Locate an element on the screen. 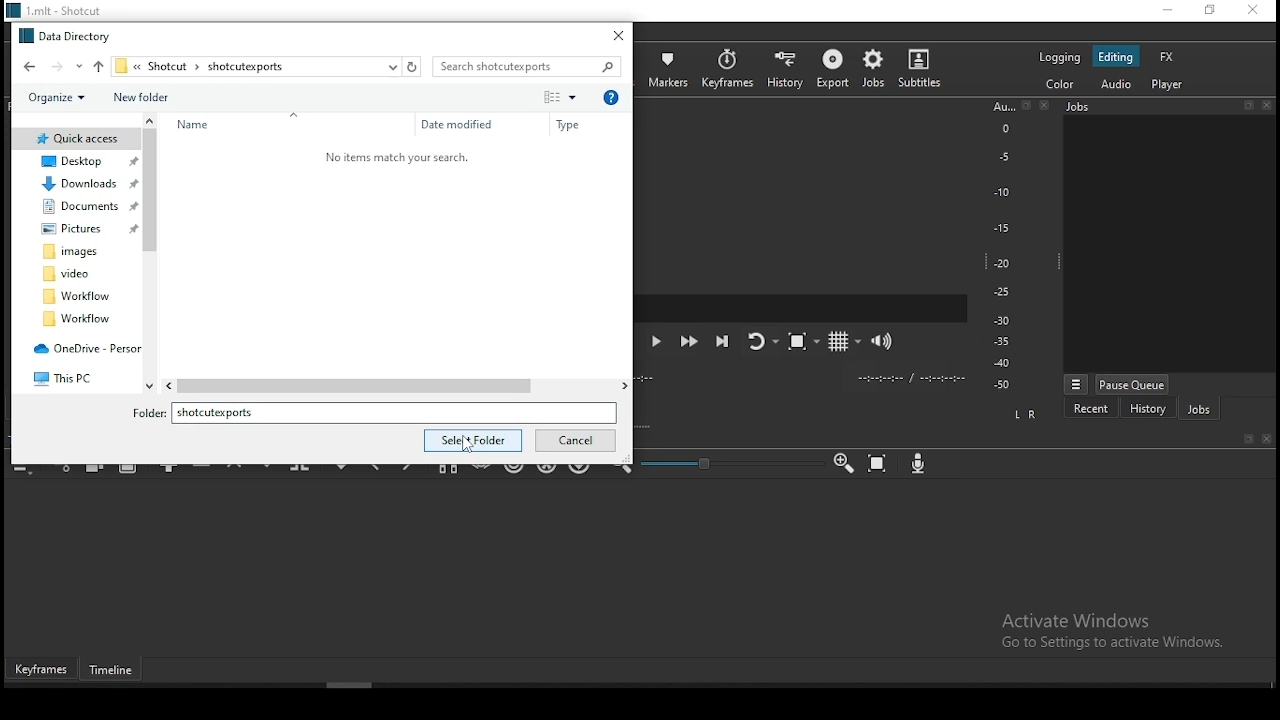  color is located at coordinates (1057, 85).